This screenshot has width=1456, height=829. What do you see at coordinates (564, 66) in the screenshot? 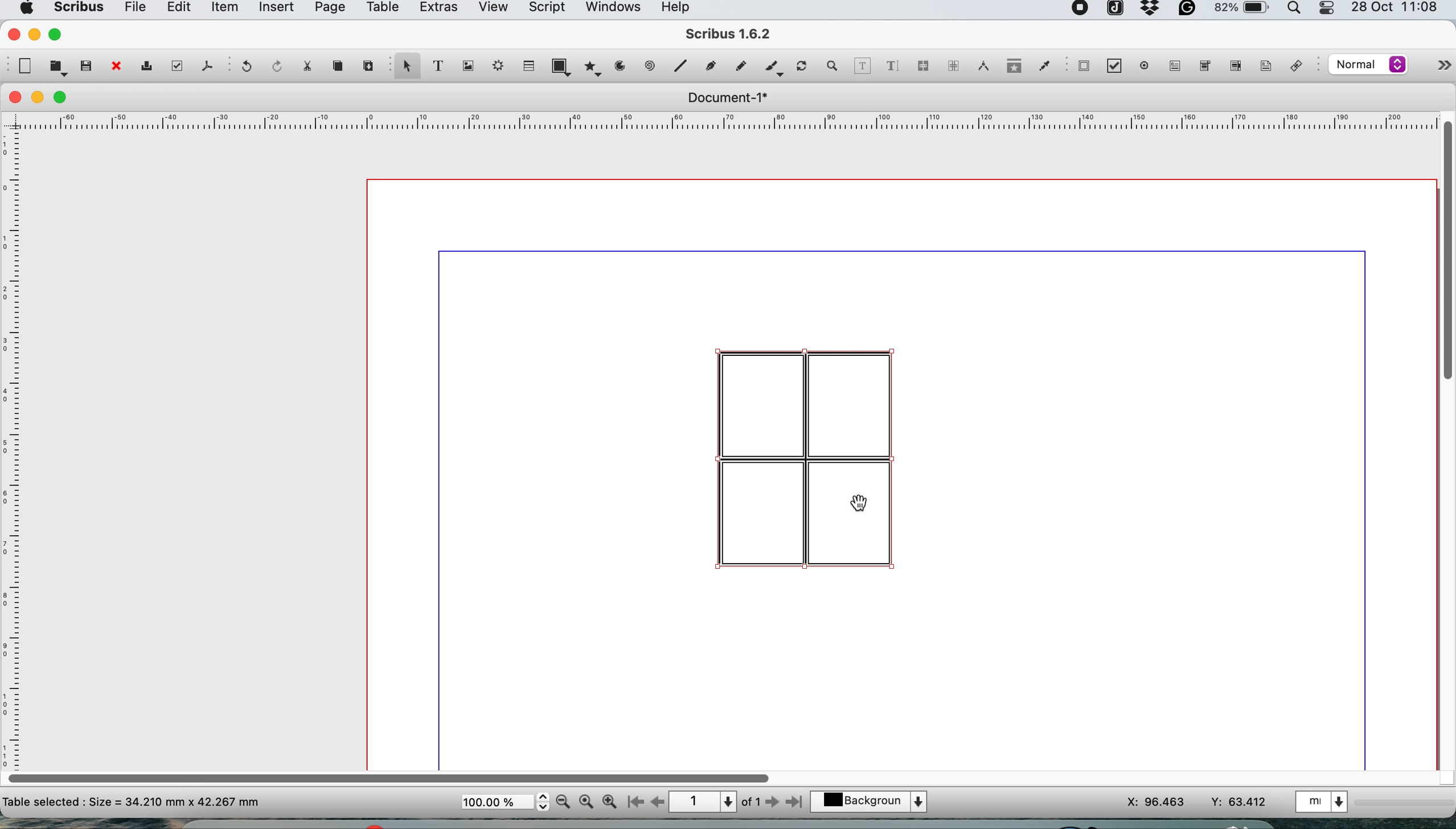
I see `shape` at bounding box center [564, 66].